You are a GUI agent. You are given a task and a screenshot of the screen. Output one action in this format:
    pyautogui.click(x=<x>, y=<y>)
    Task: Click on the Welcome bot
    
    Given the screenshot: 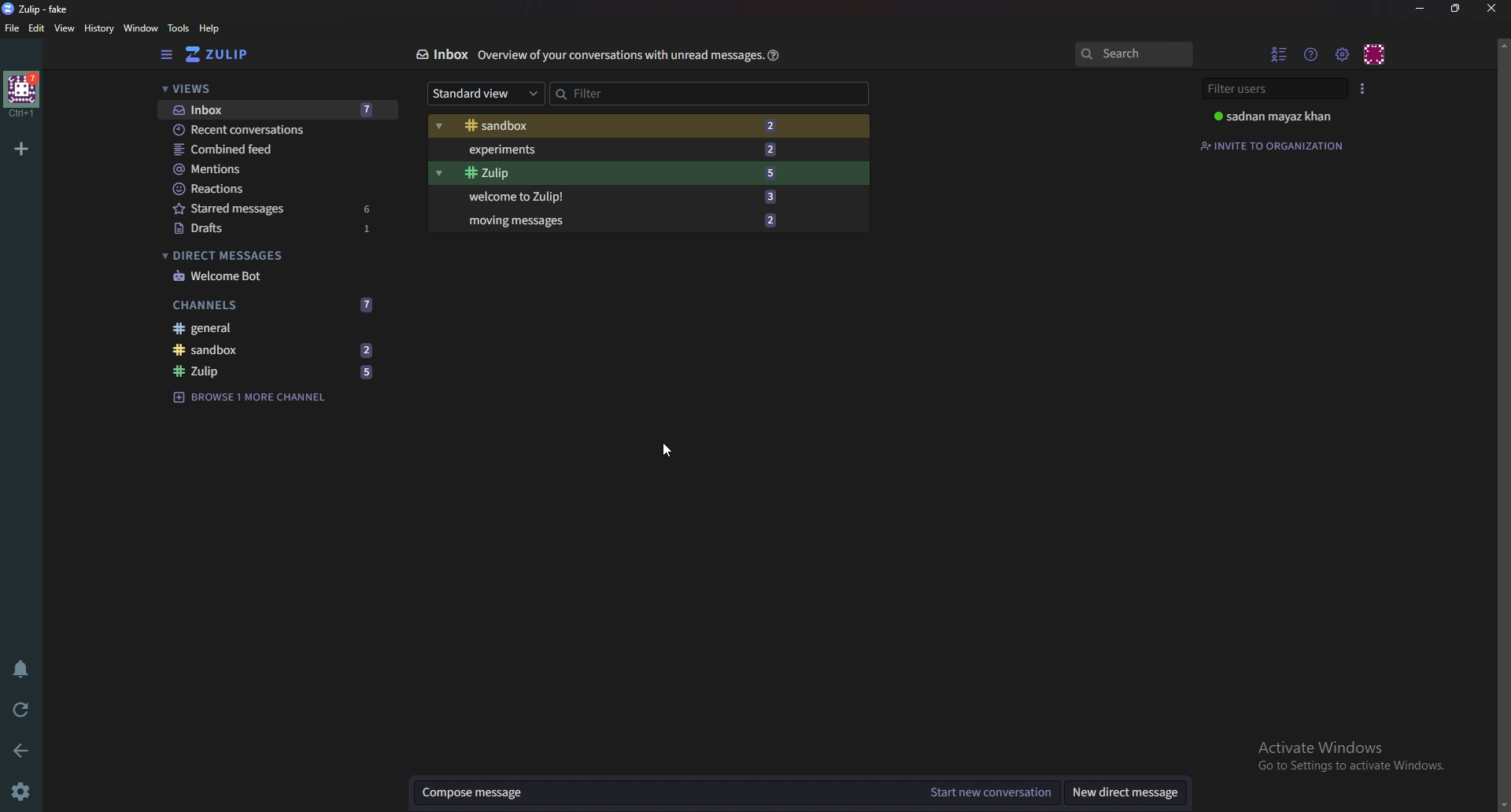 What is the action you would take?
    pyautogui.click(x=274, y=275)
    